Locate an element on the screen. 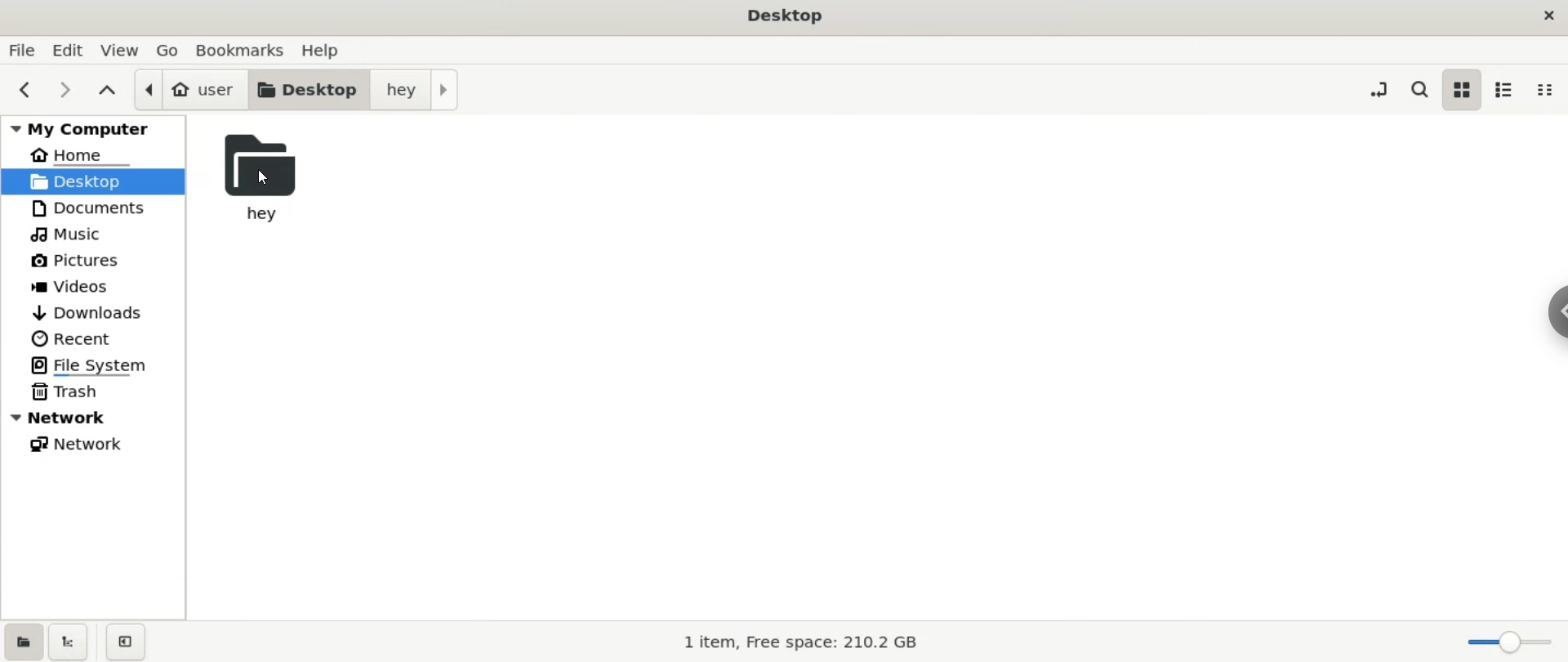 This screenshot has width=1568, height=662. recent is located at coordinates (91, 338).